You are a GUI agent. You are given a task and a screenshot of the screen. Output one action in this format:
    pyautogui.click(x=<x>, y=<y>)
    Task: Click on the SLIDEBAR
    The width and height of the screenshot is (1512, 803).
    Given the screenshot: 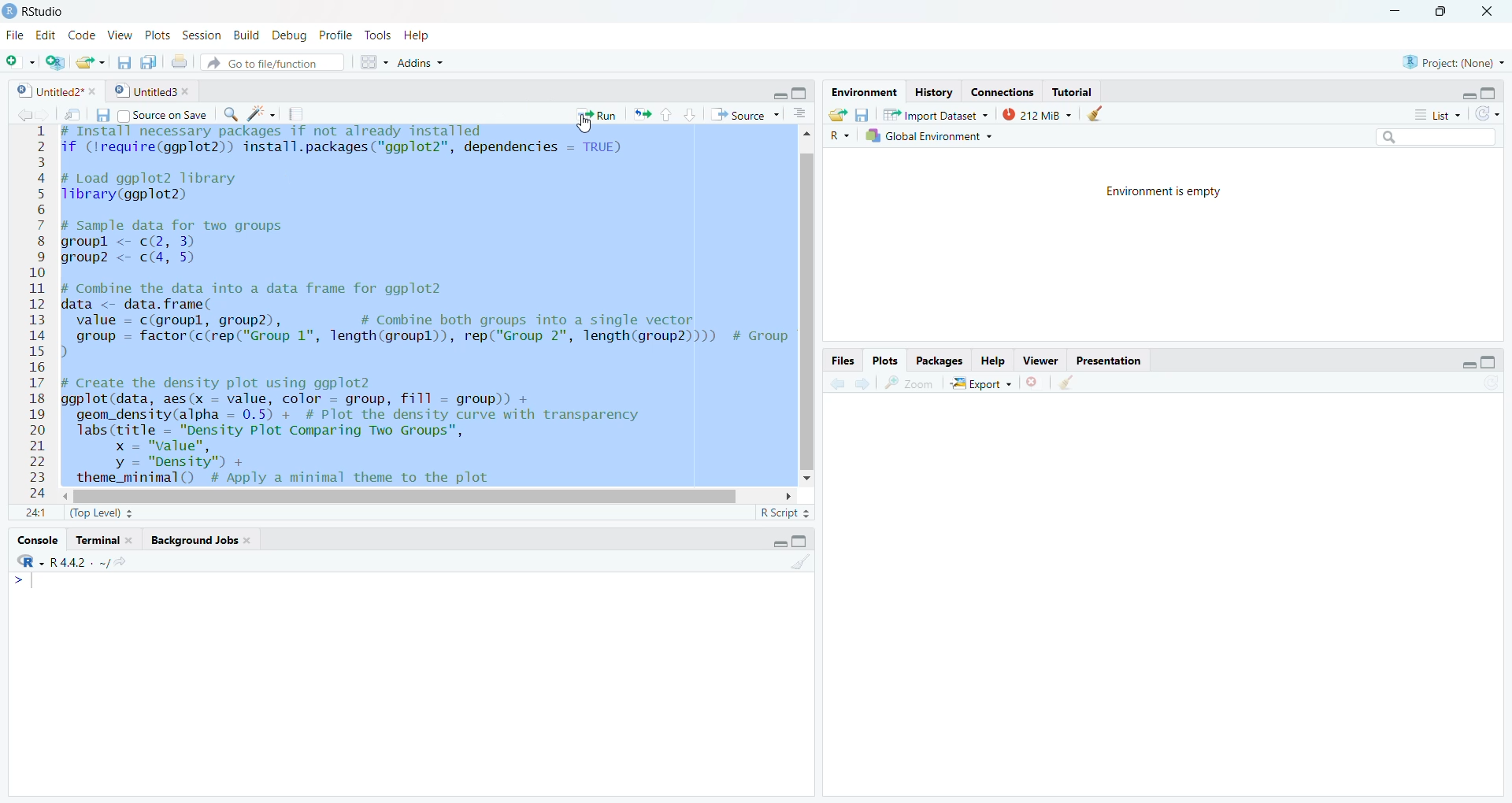 What is the action you would take?
    pyautogui.click(x=391, y=498)
    